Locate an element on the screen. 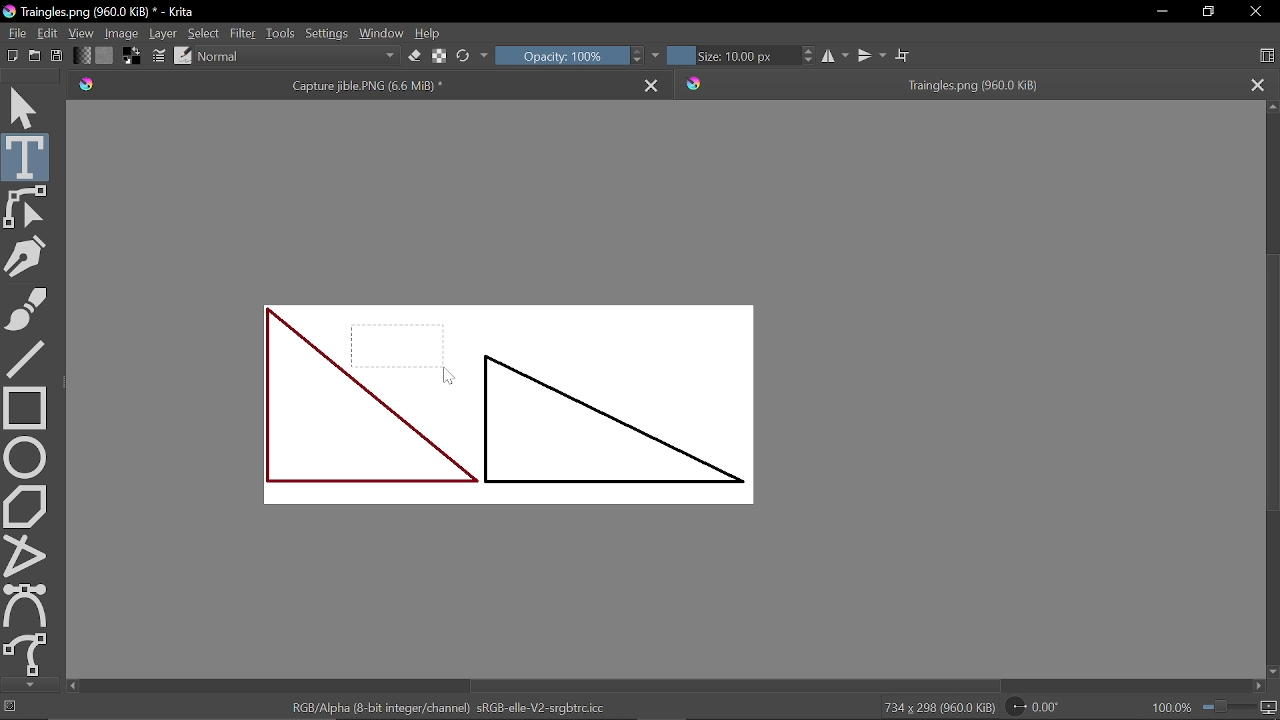 The width and height of the screenshot is (1280, 720). Current tab is located at coordinates (349, 84).